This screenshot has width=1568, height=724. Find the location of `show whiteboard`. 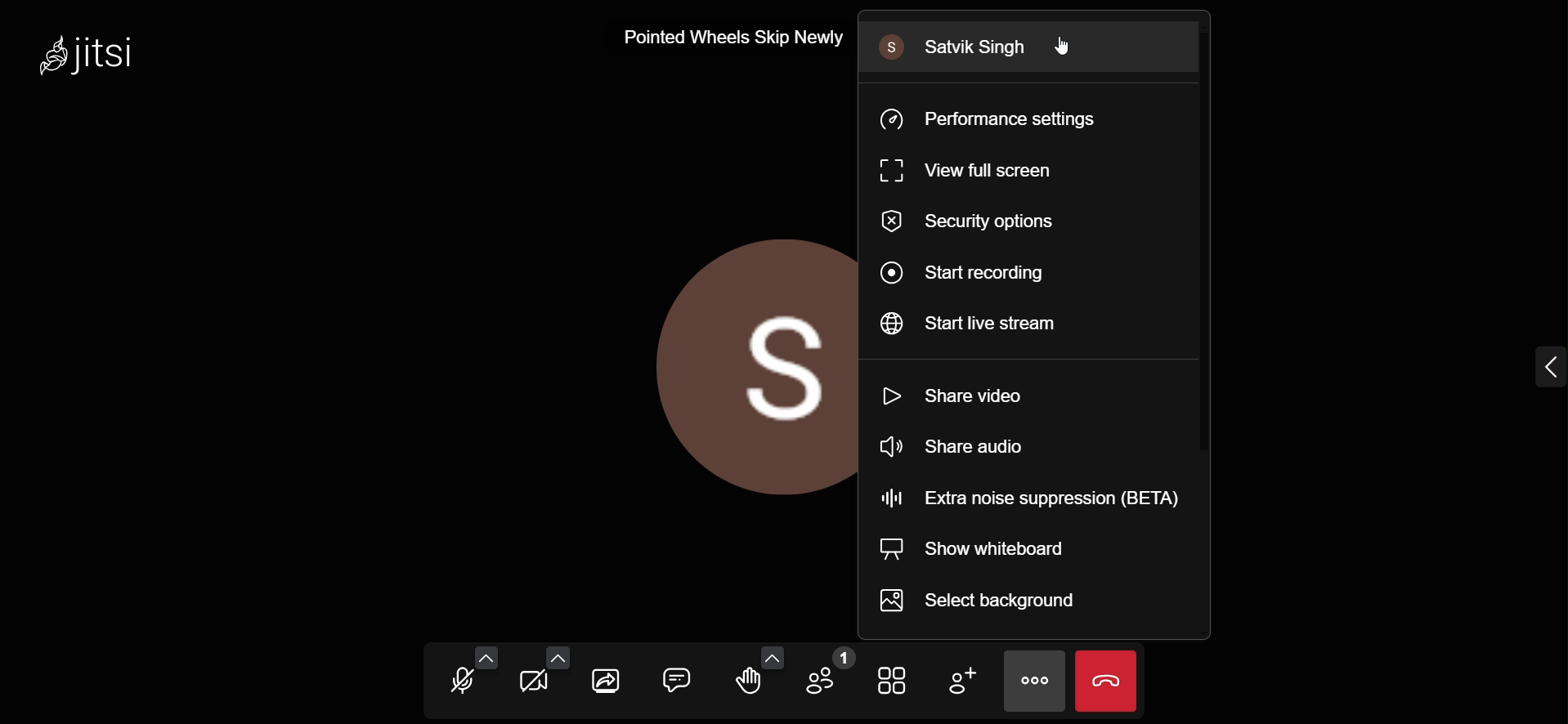

show whiteboard is located at coordinates (974, 557).